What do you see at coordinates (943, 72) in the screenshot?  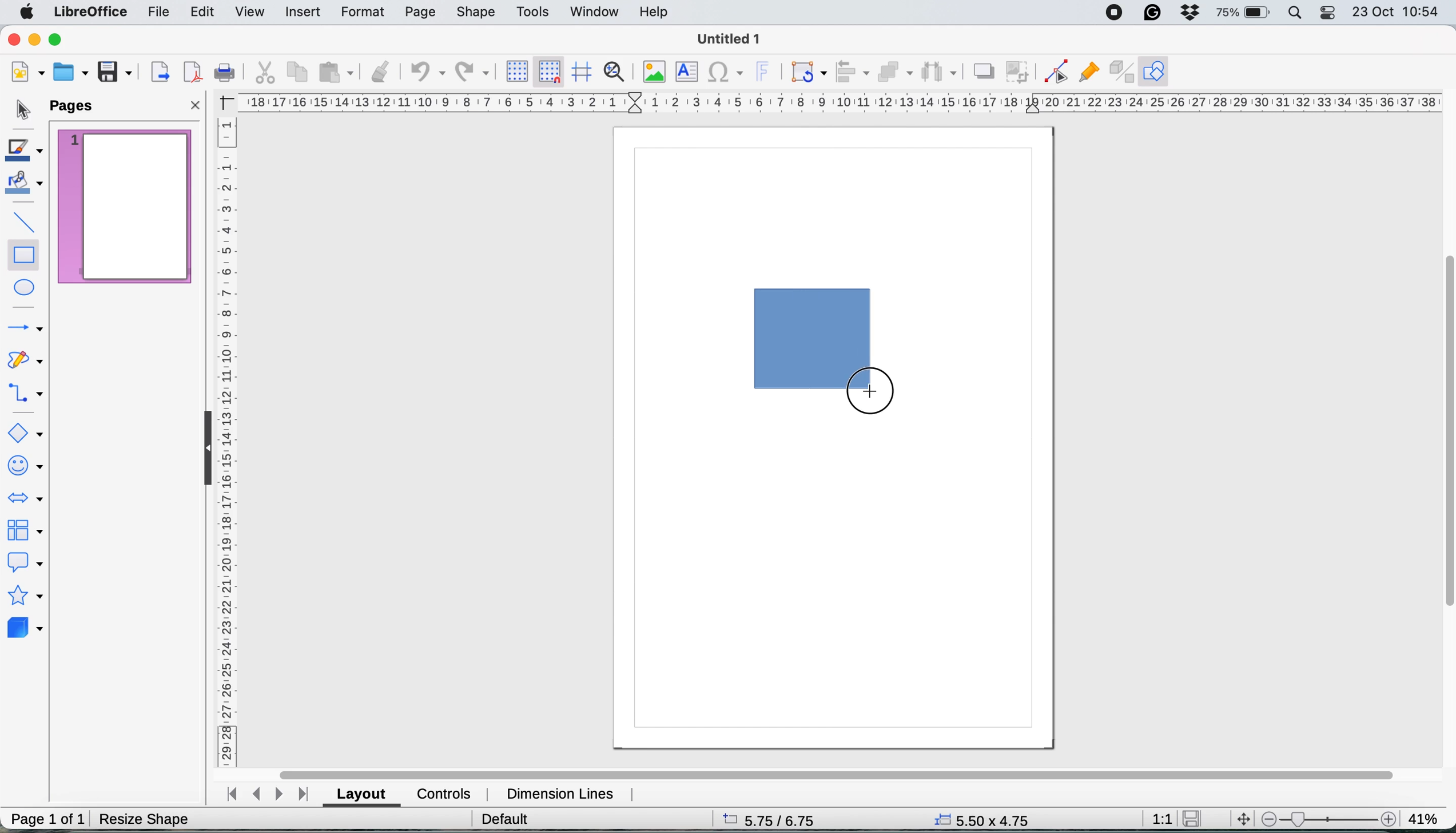 I see `select atleast three objects to distribute` at bounding box center [943, 72].